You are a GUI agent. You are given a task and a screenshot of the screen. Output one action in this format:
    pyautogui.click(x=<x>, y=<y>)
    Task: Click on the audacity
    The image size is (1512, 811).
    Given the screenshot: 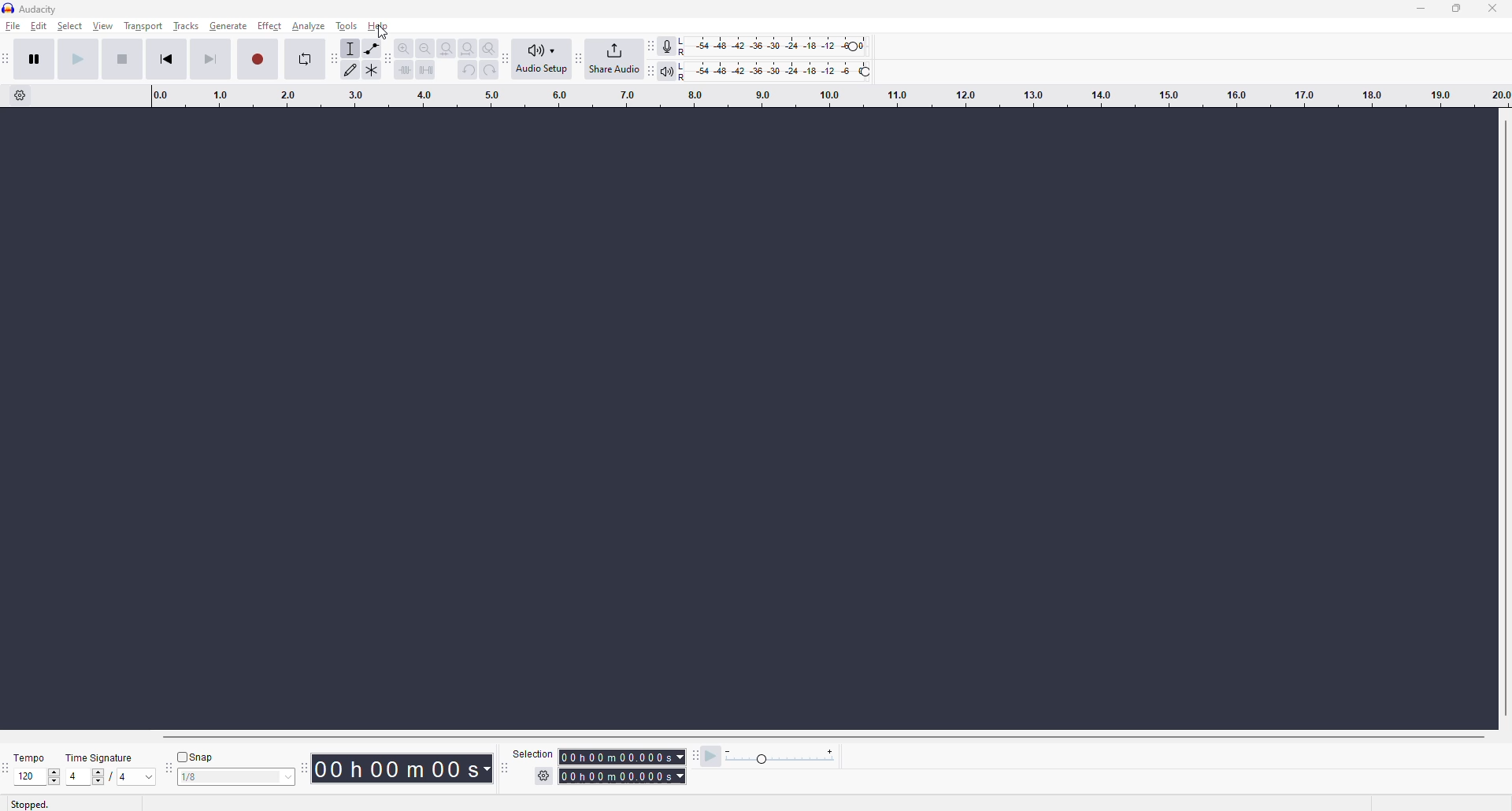 What is the action you would take?
    pyautogui.click(x=31, y=10)
    